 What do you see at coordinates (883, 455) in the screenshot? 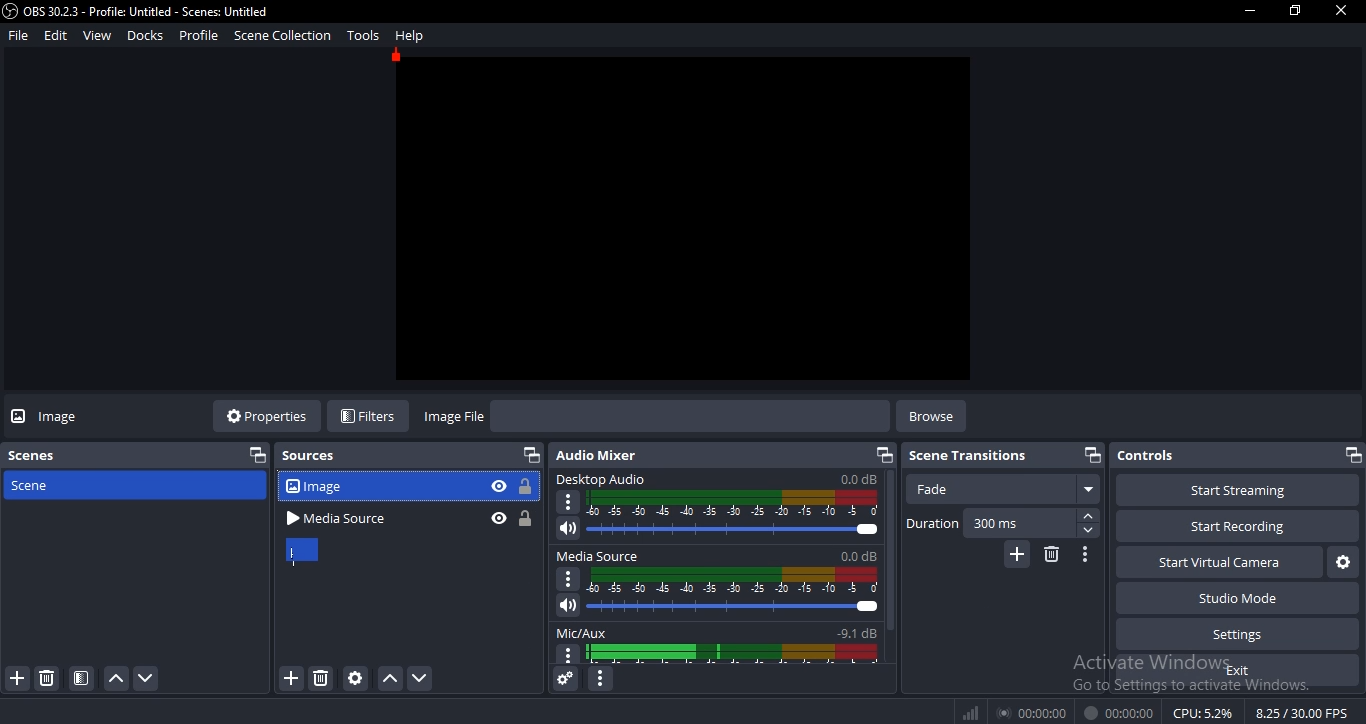
I see `restore` at bounding box center [883, 455].